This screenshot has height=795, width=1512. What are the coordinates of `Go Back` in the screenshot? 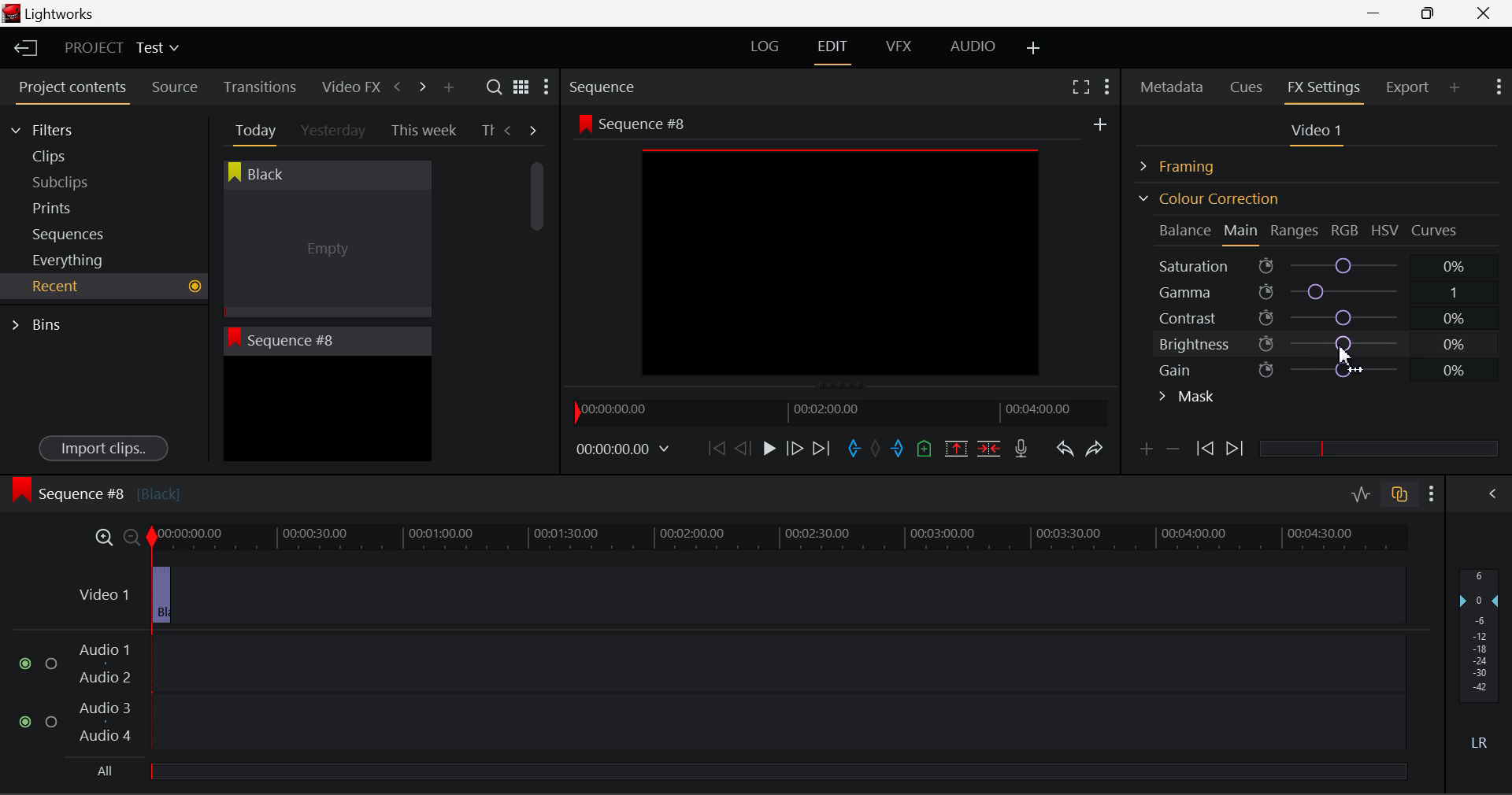 It's located at (745, 447).